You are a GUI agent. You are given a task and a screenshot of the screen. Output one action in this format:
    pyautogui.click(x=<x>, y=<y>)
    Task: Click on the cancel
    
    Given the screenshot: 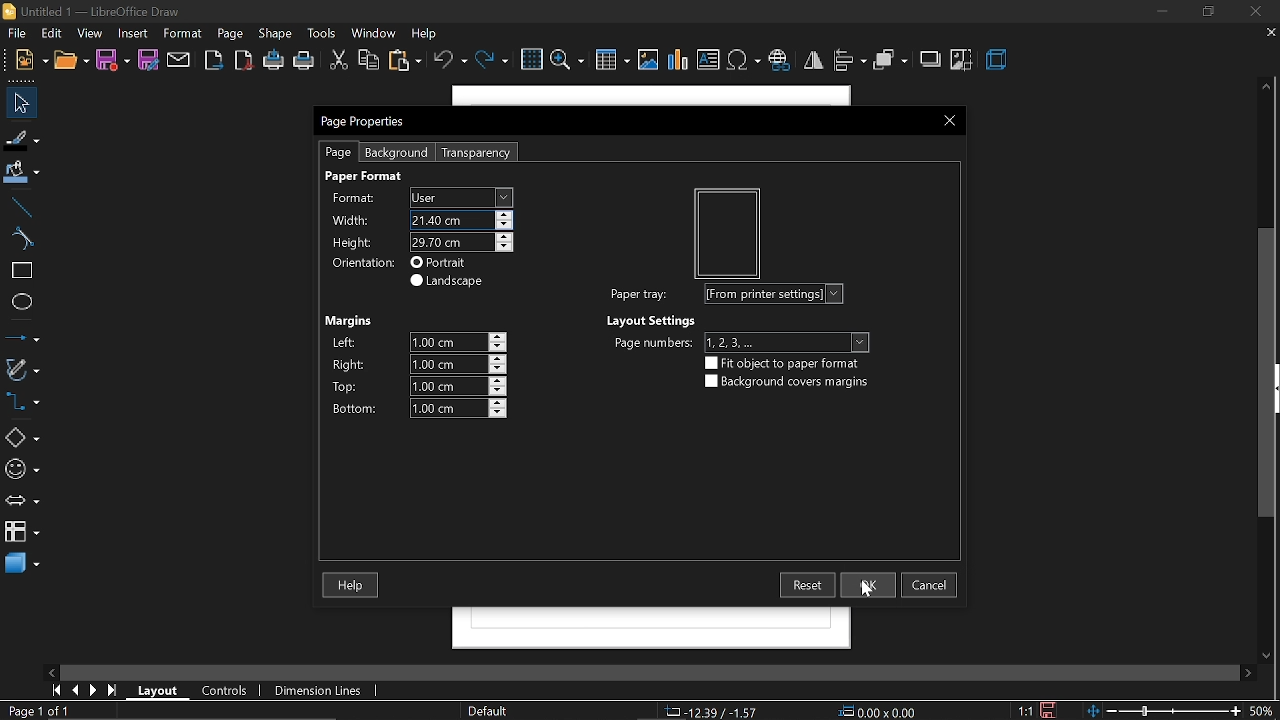 What is the action you would take?
    pyautogui.click(x=930, y=585)
    